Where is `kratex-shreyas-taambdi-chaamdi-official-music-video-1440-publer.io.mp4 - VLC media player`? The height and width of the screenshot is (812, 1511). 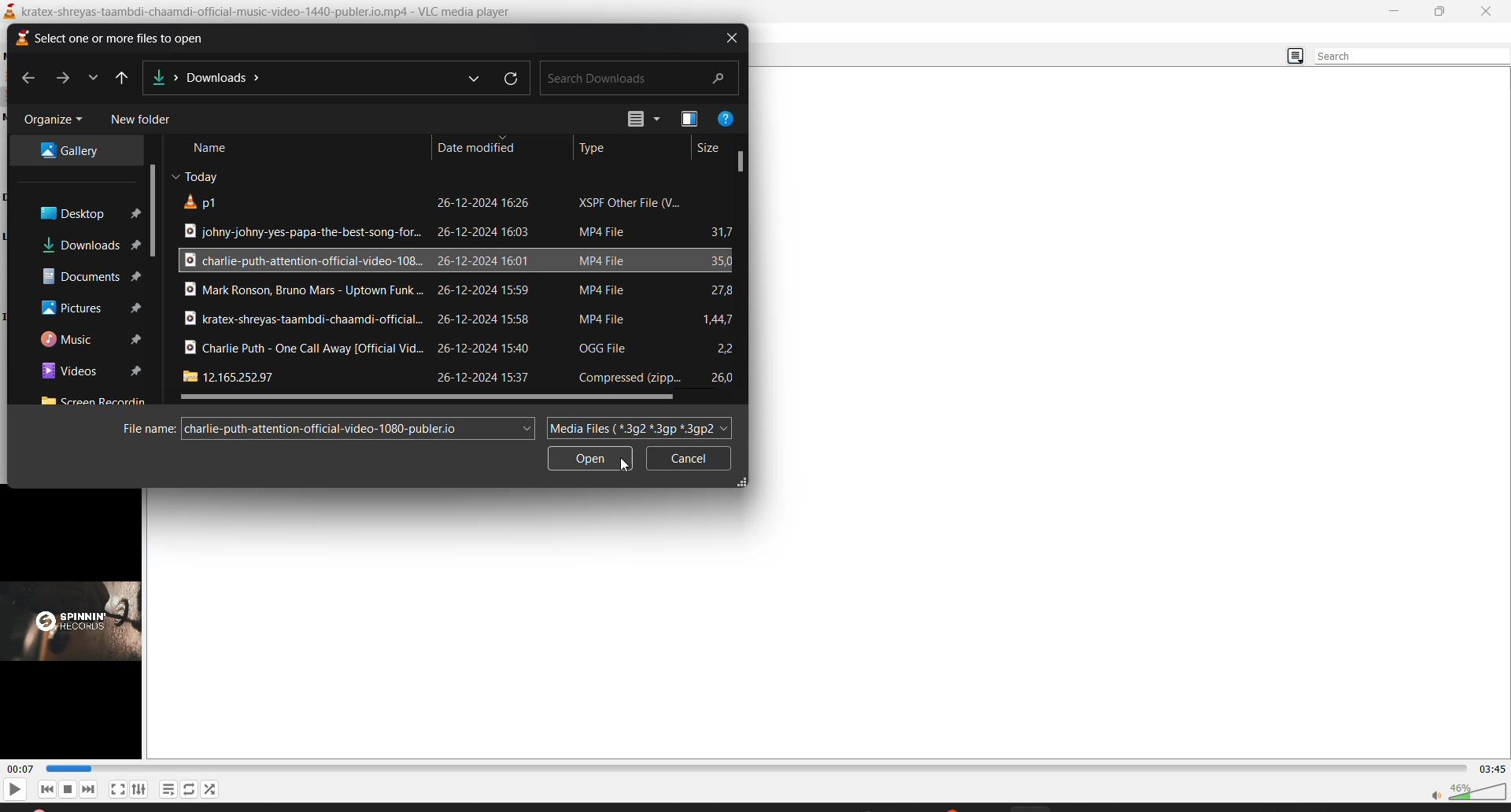 kratex-shreyas-taambdi-chaamdi-official-music-video-1440-publer.io.mp4 - VLC media player is located at coordinates (287, 9).